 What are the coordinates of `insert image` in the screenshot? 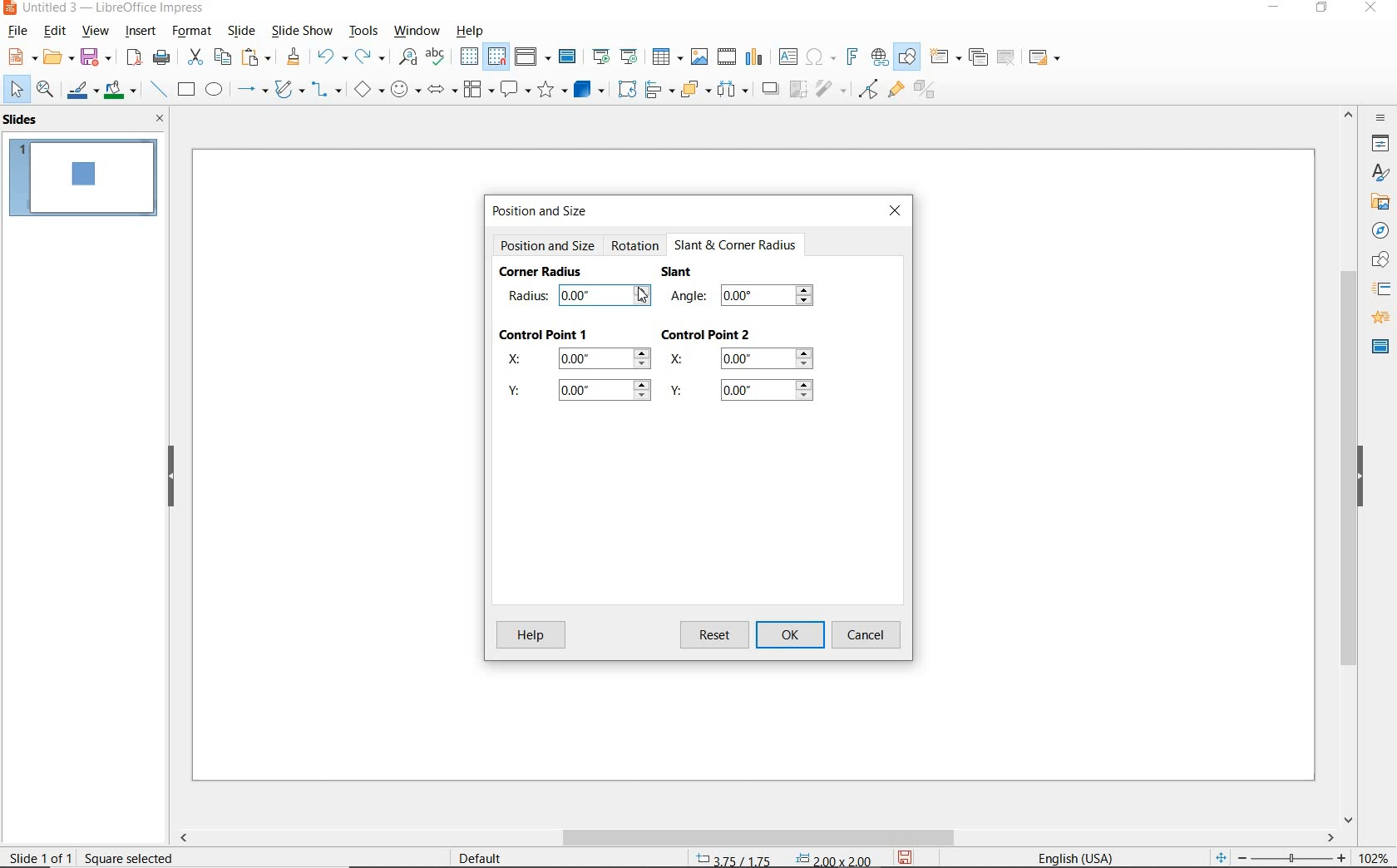 It's located at (700, 57).